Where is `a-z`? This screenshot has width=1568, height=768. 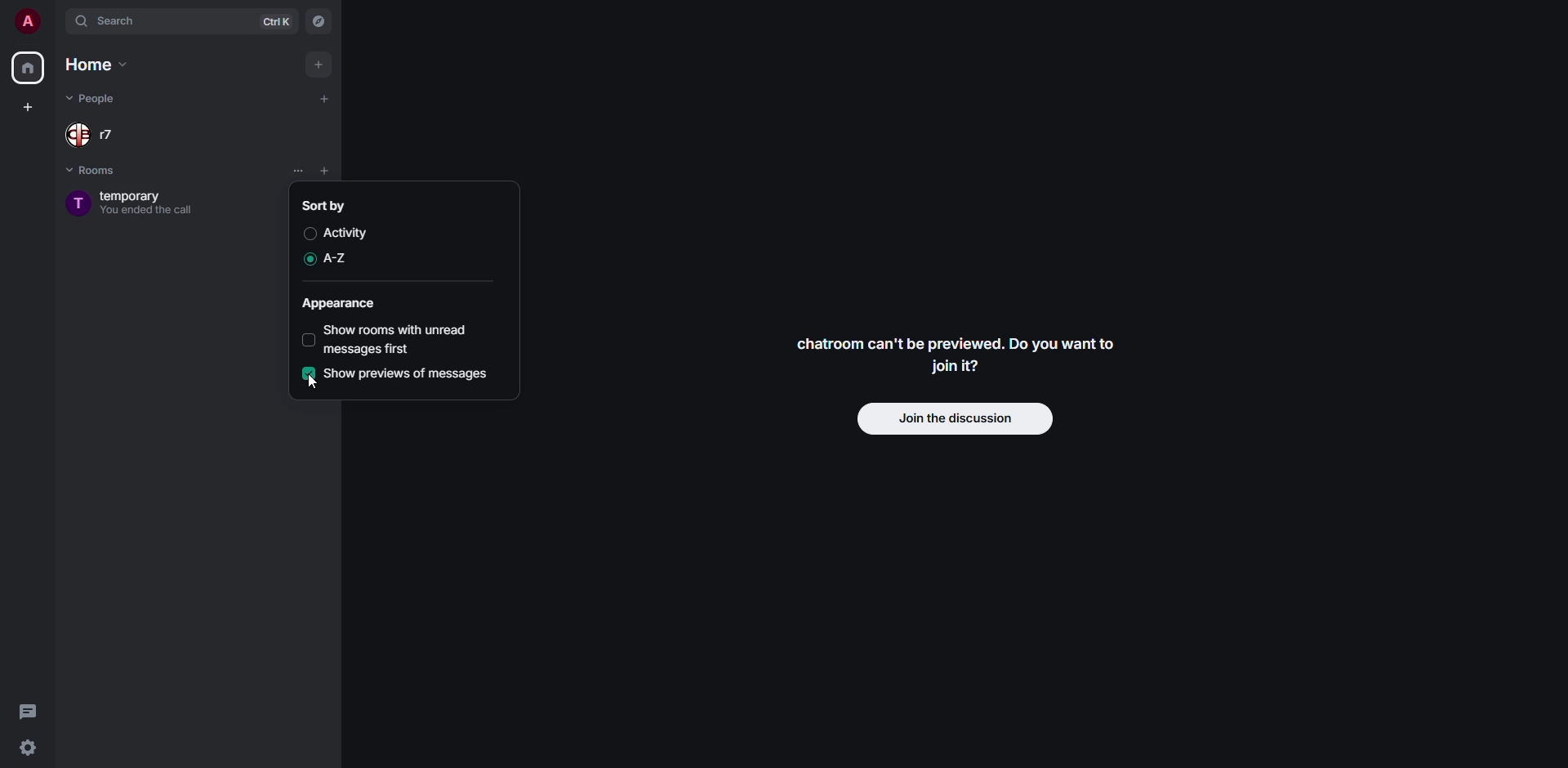
a-z is located at coordinates (338, 257).